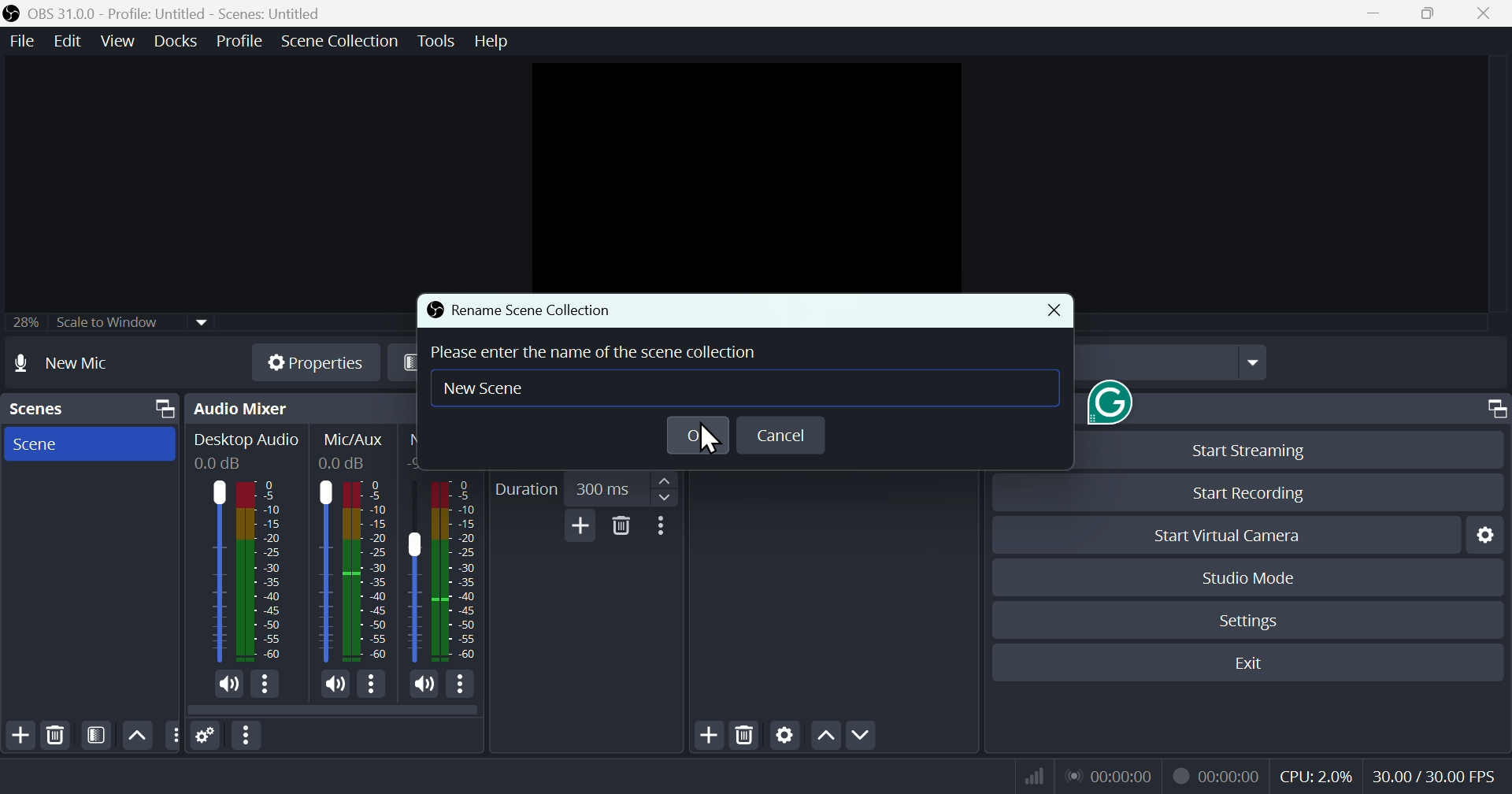 The height and width of the screenshot is (794, 1512). Describe the element at coordinates (224, 463) in the screenshot. I see `0.0dB` at that location.